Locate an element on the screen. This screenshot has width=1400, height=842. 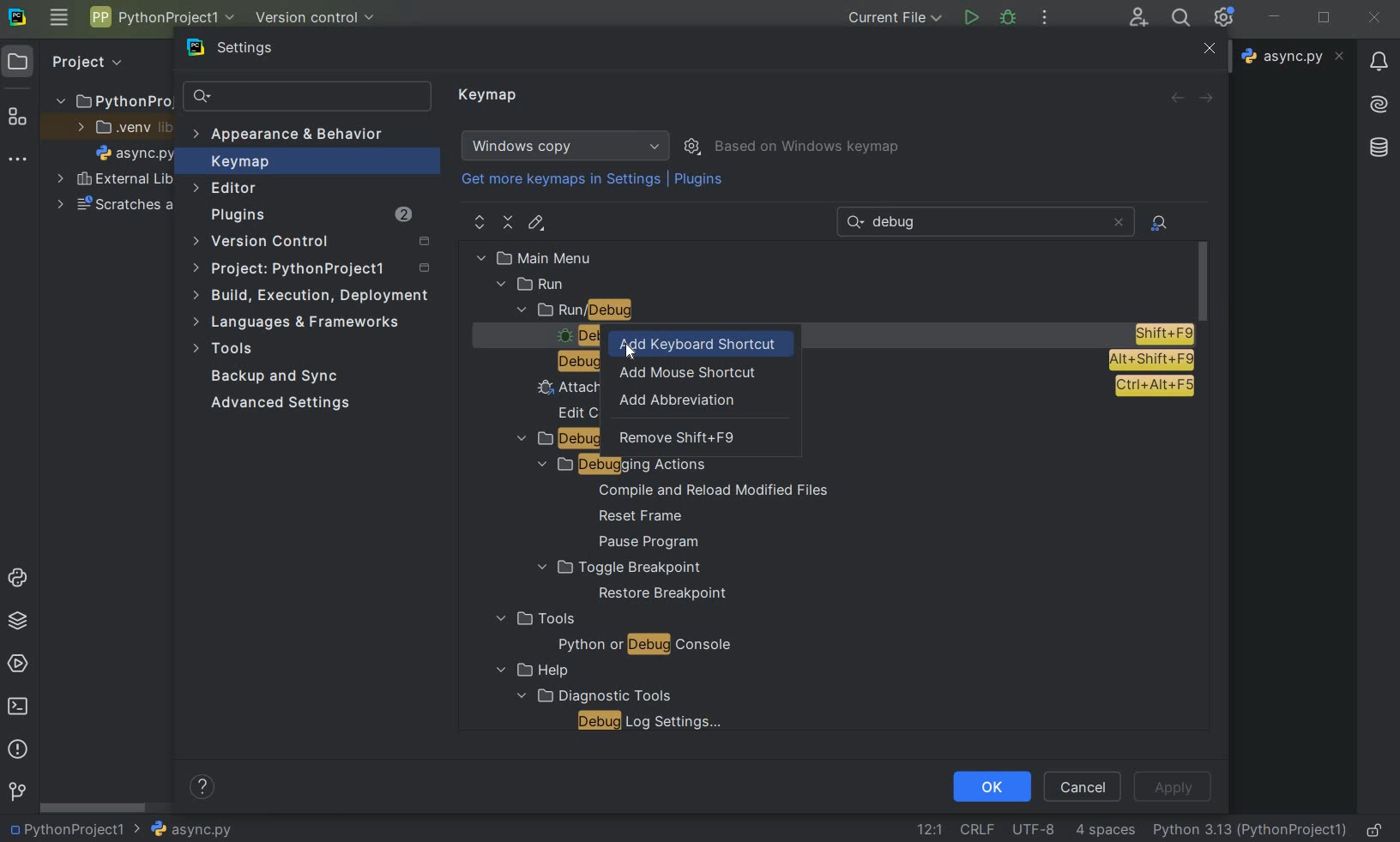
code with me is located at coordinates (1138, 16).